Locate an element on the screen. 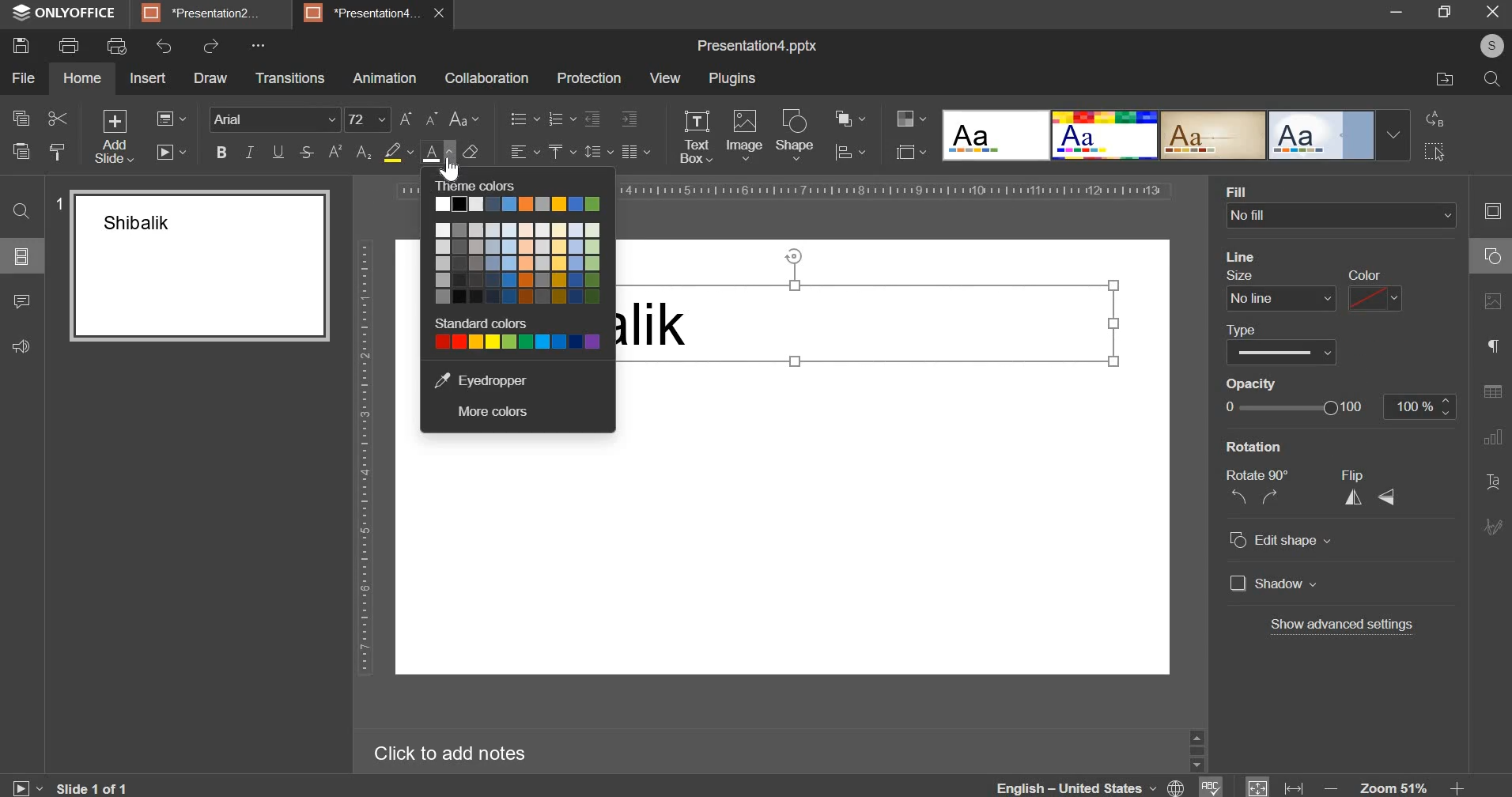 The image size is (1512, 797). cut is located at coordinates (57, 119).